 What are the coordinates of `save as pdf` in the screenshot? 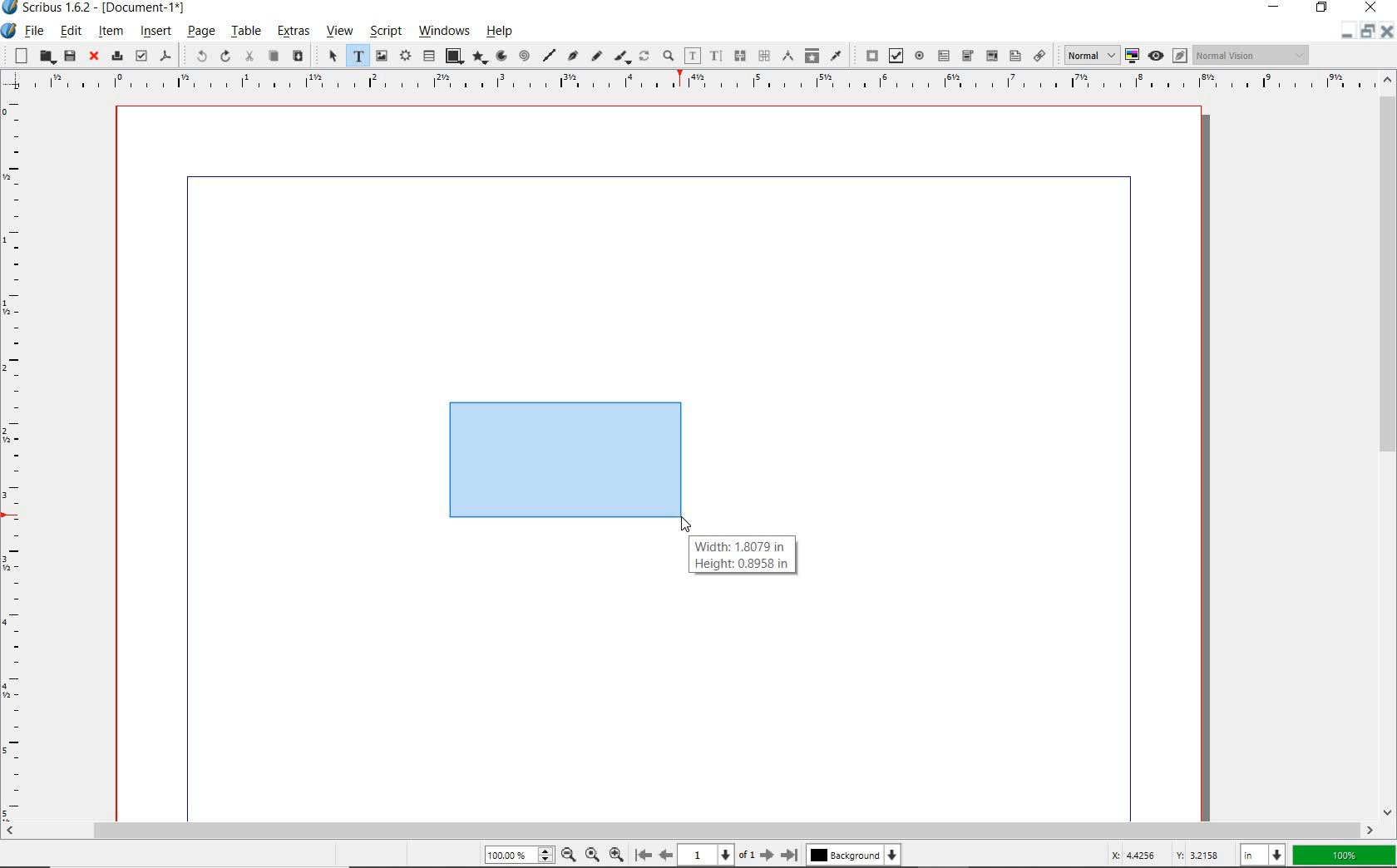 It's located at (165, 56).